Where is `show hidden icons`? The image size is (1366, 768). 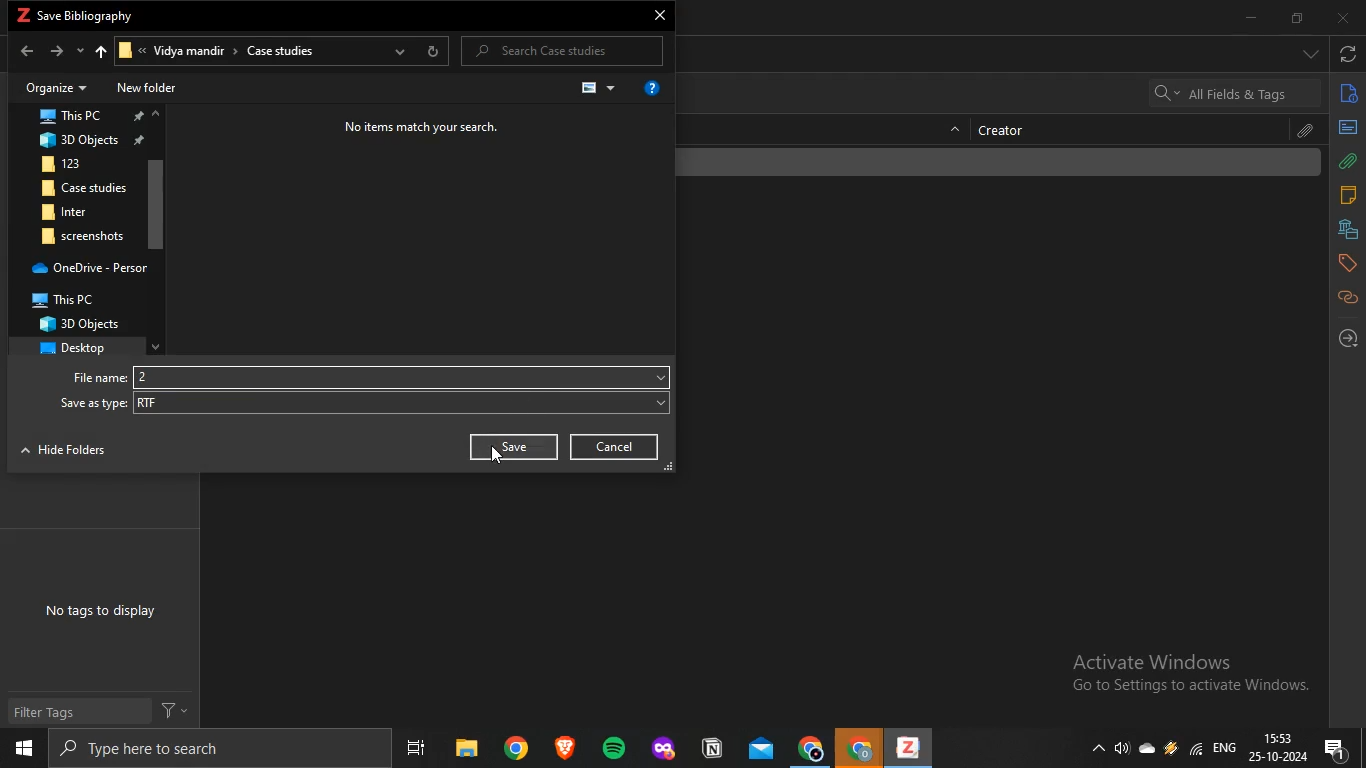 show hidden icons is located at coordinates (1095, 746).